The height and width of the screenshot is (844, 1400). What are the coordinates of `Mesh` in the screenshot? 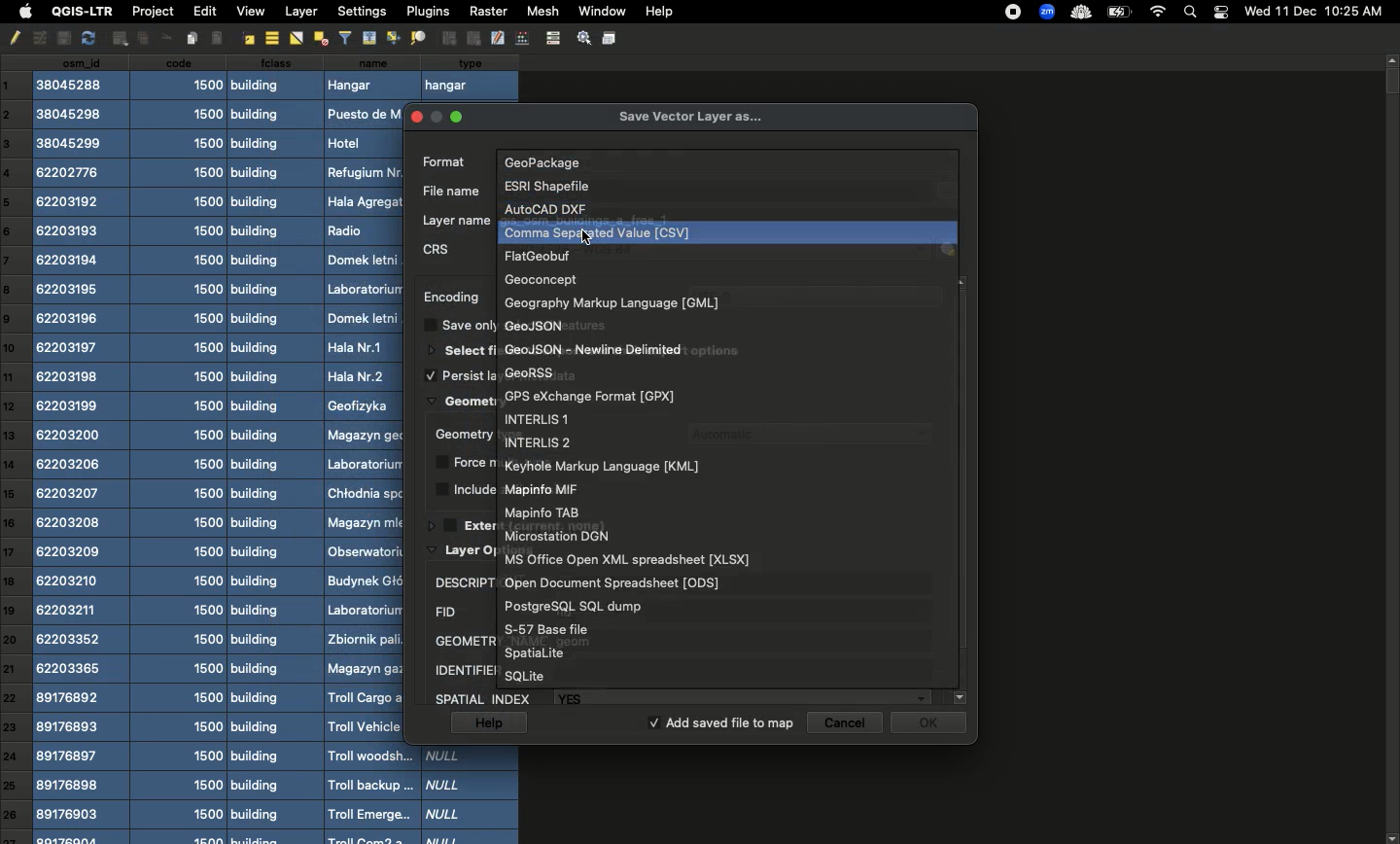 It's located at (540, 11).